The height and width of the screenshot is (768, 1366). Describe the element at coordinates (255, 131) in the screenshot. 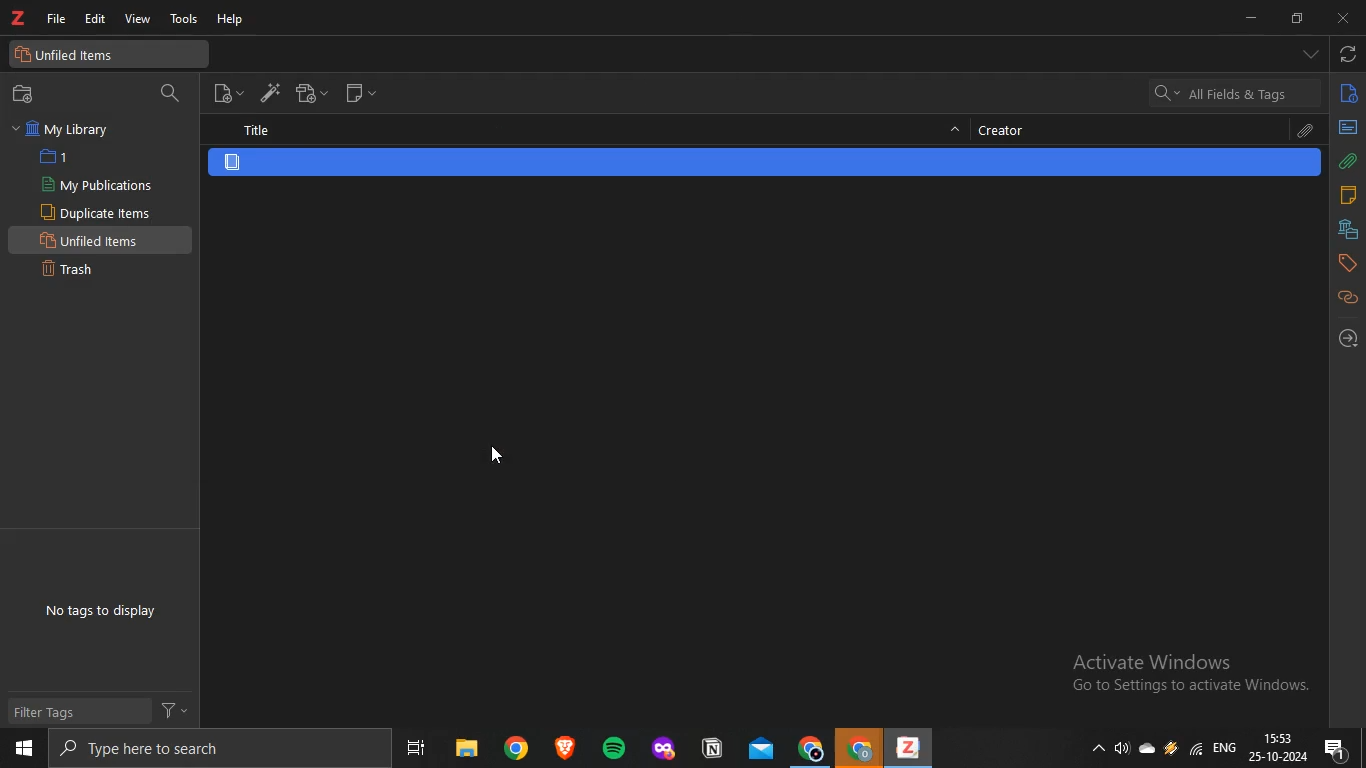

I see `title` at that location.